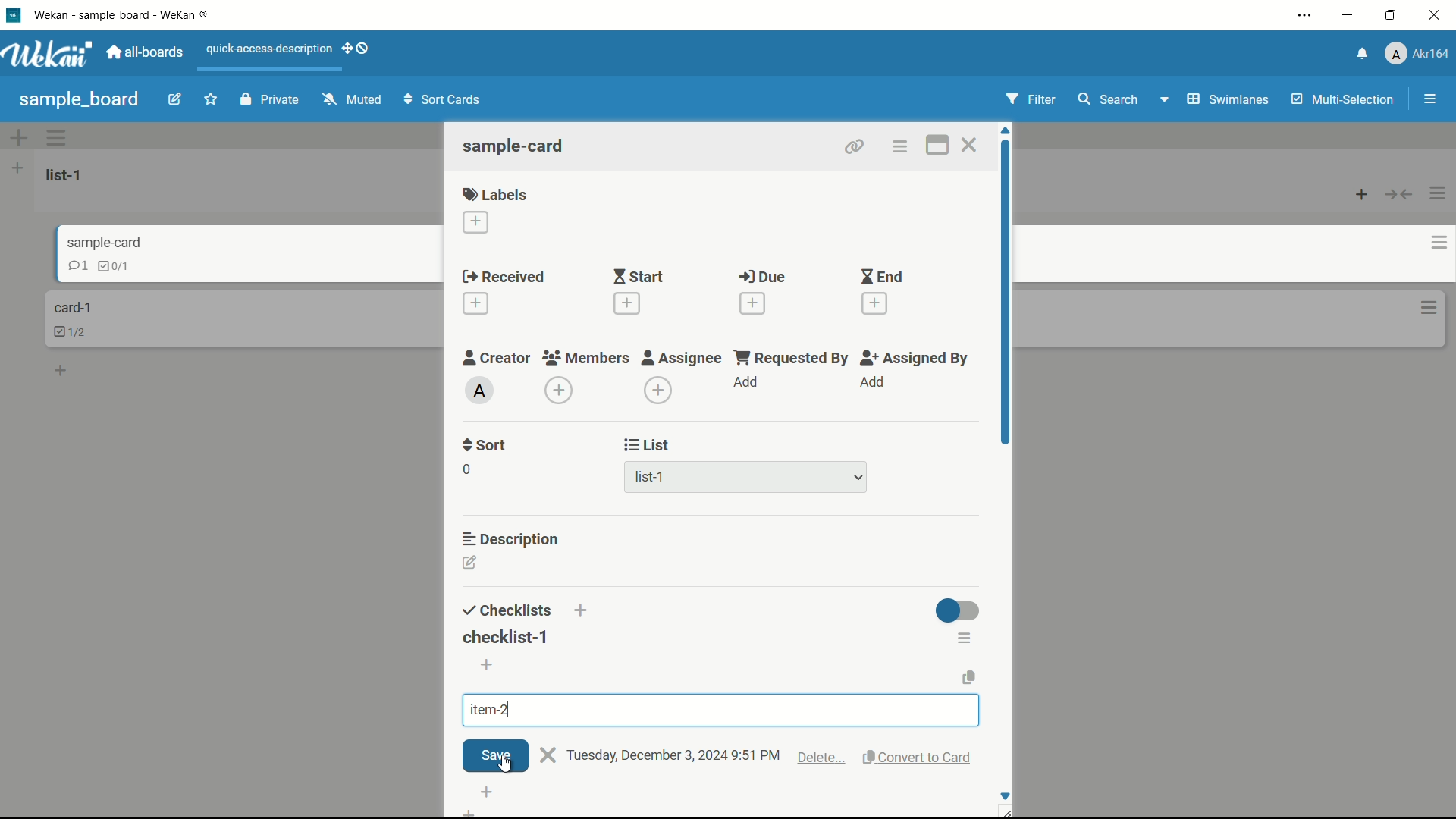 This screenshot has width=1456, height=819. What do you see at coordinates (1432, 242) in the screenshot?
I see `card actions` at bounding box center [1432, 242].